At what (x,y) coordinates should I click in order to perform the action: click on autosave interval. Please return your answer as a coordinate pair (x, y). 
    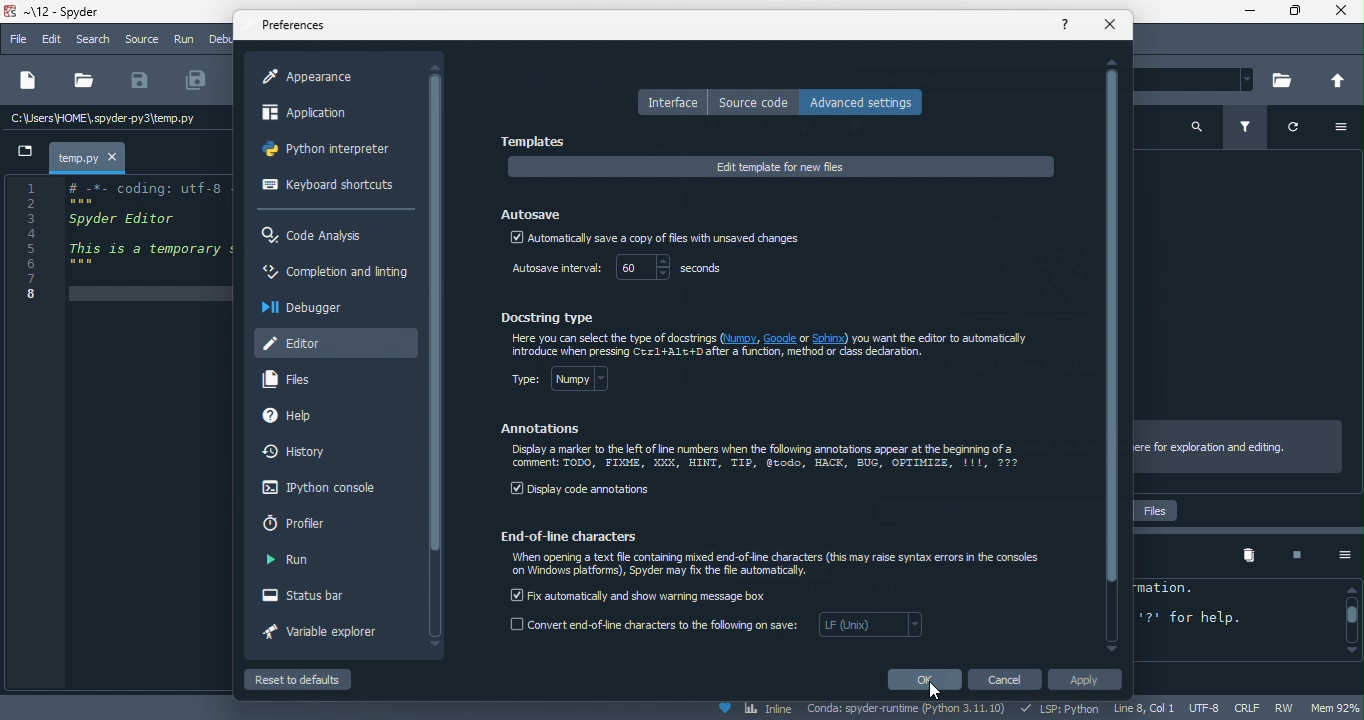
    Looking at the image, I should click on (553, 270).